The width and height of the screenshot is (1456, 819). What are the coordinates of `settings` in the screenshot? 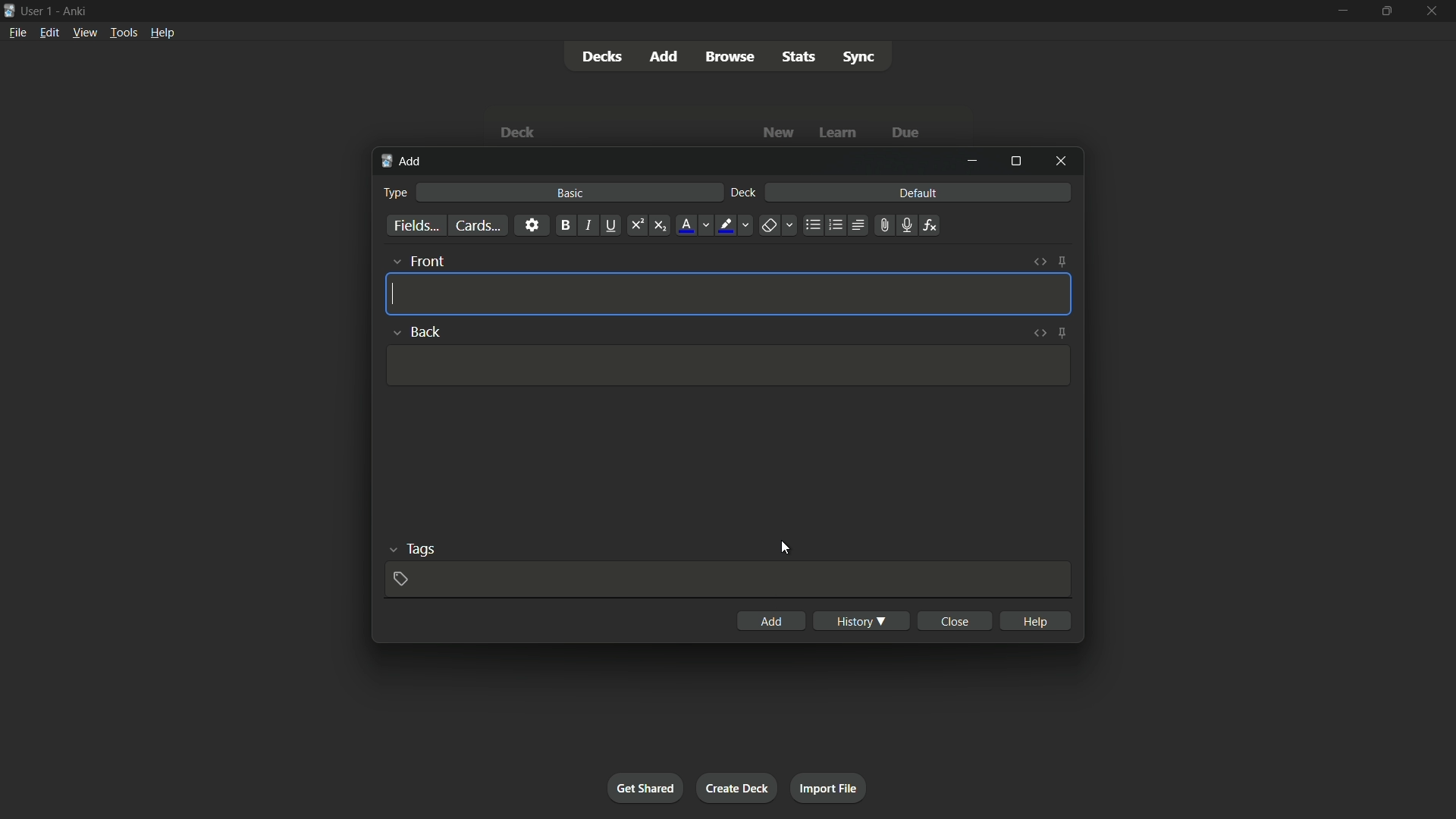 It's located at (532, 224).